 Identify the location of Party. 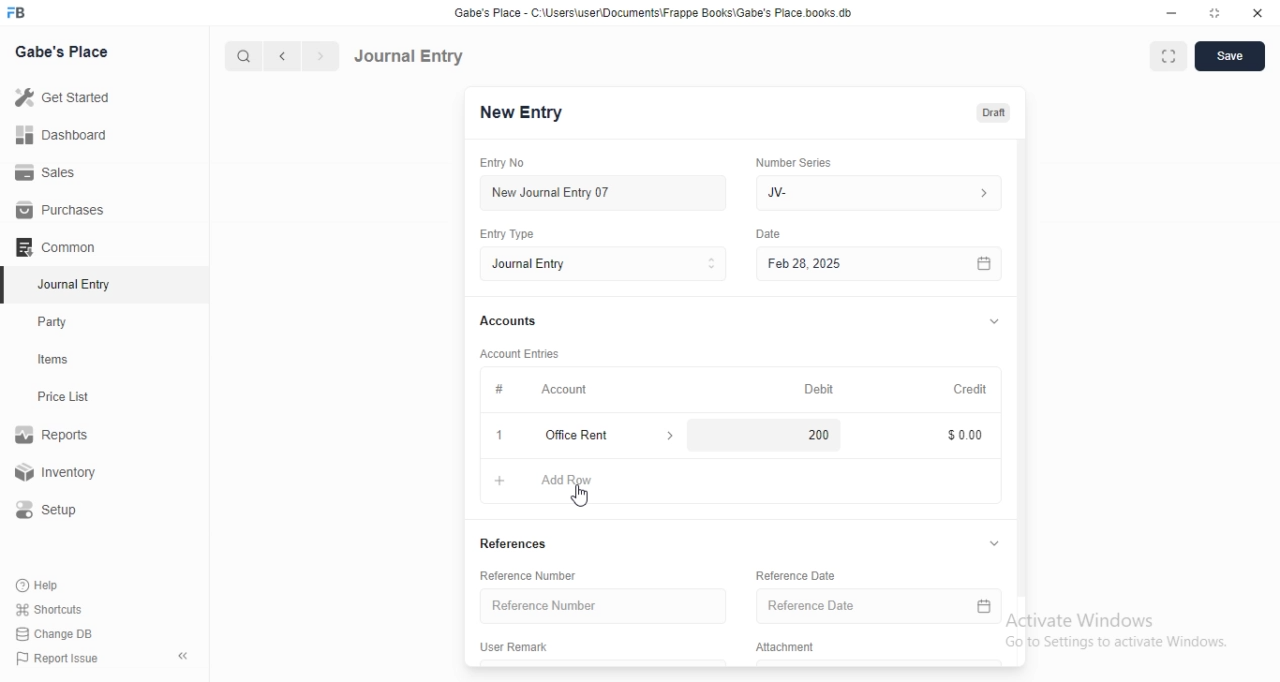
(57, 322).